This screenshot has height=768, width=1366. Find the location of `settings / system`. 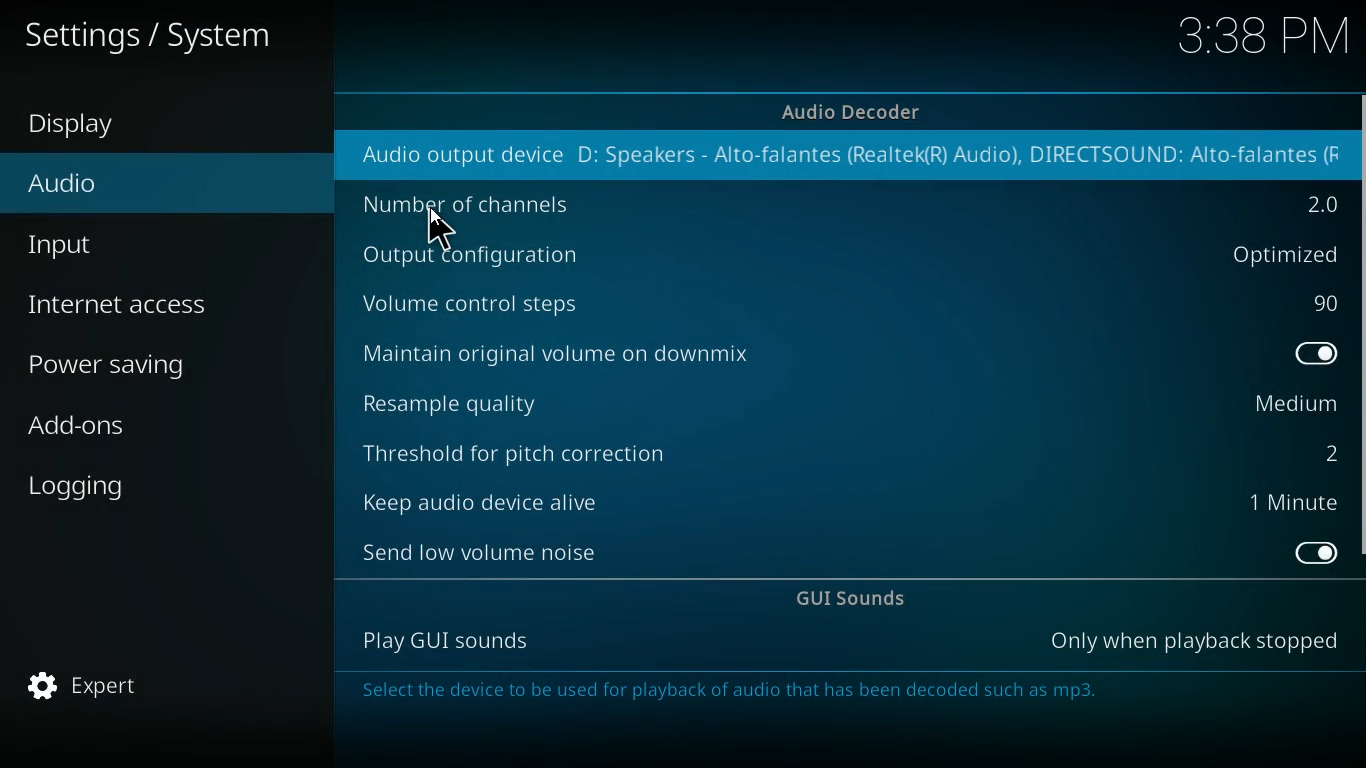

settings / system is located at coordinates (159, 33).